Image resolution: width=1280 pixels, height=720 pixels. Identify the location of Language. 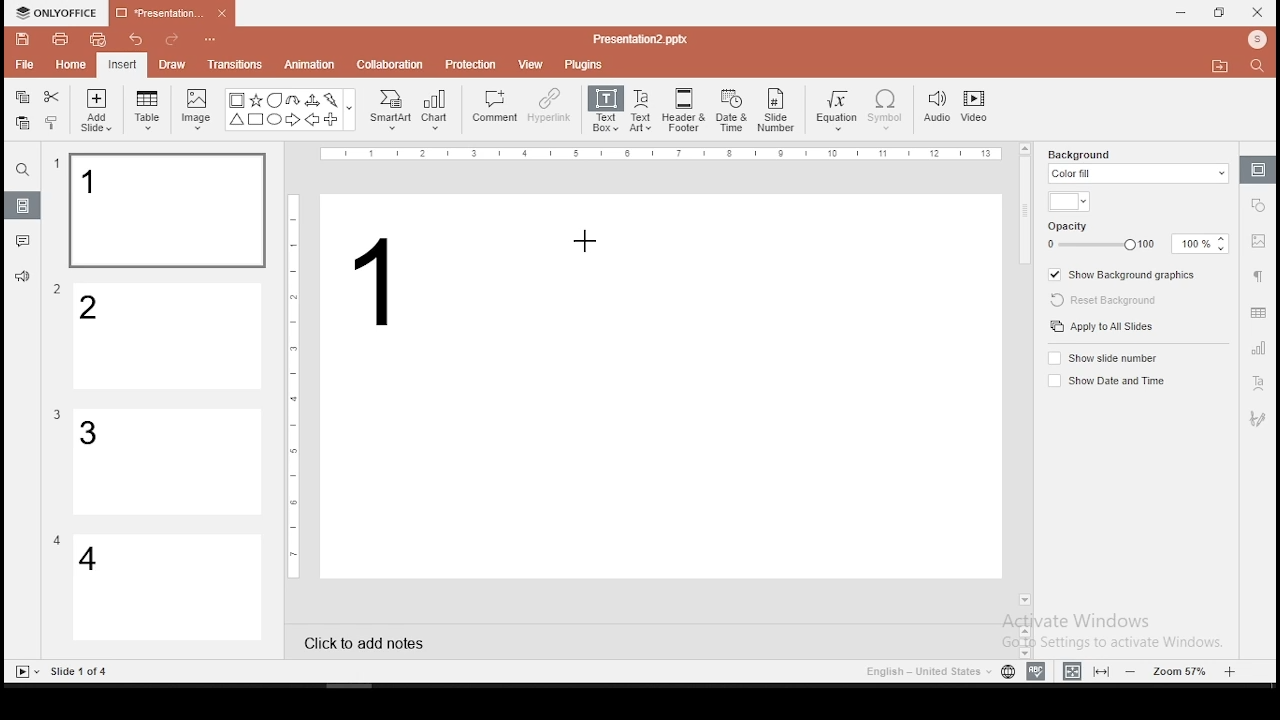
(925, 672).